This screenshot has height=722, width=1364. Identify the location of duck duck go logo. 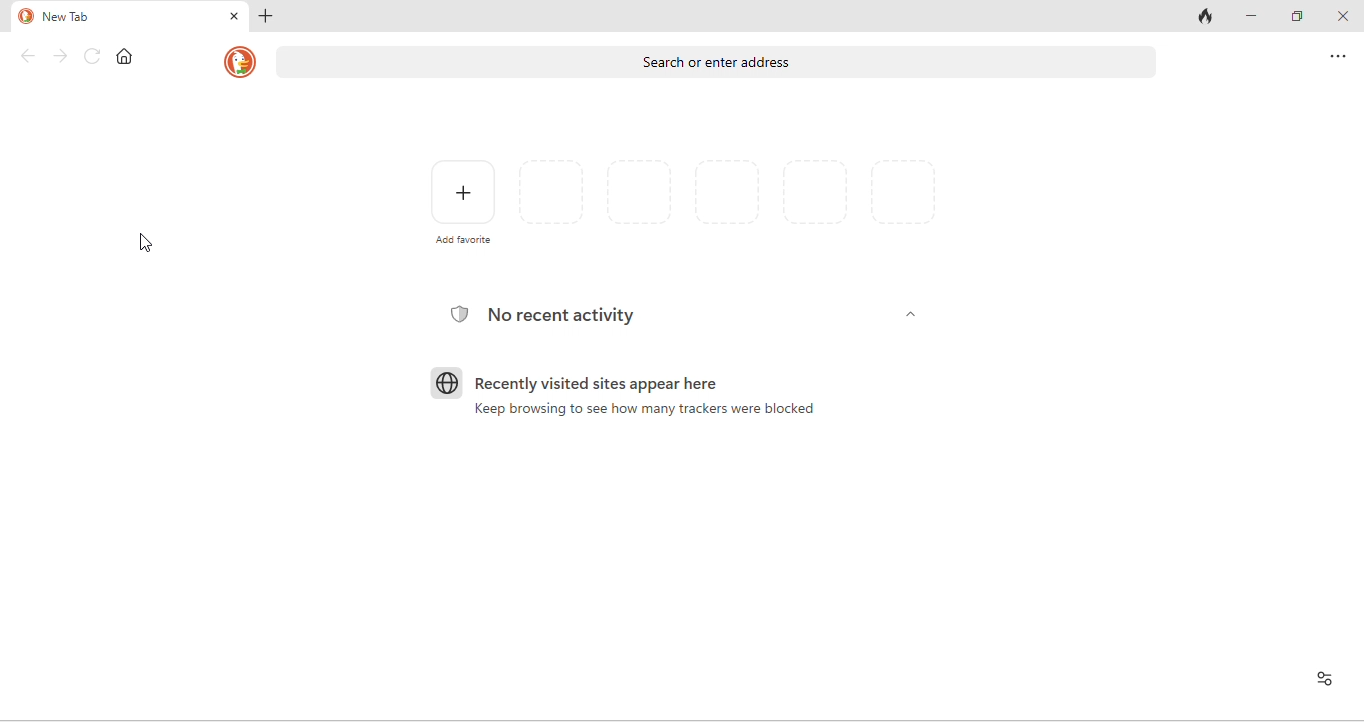
(25, 17).